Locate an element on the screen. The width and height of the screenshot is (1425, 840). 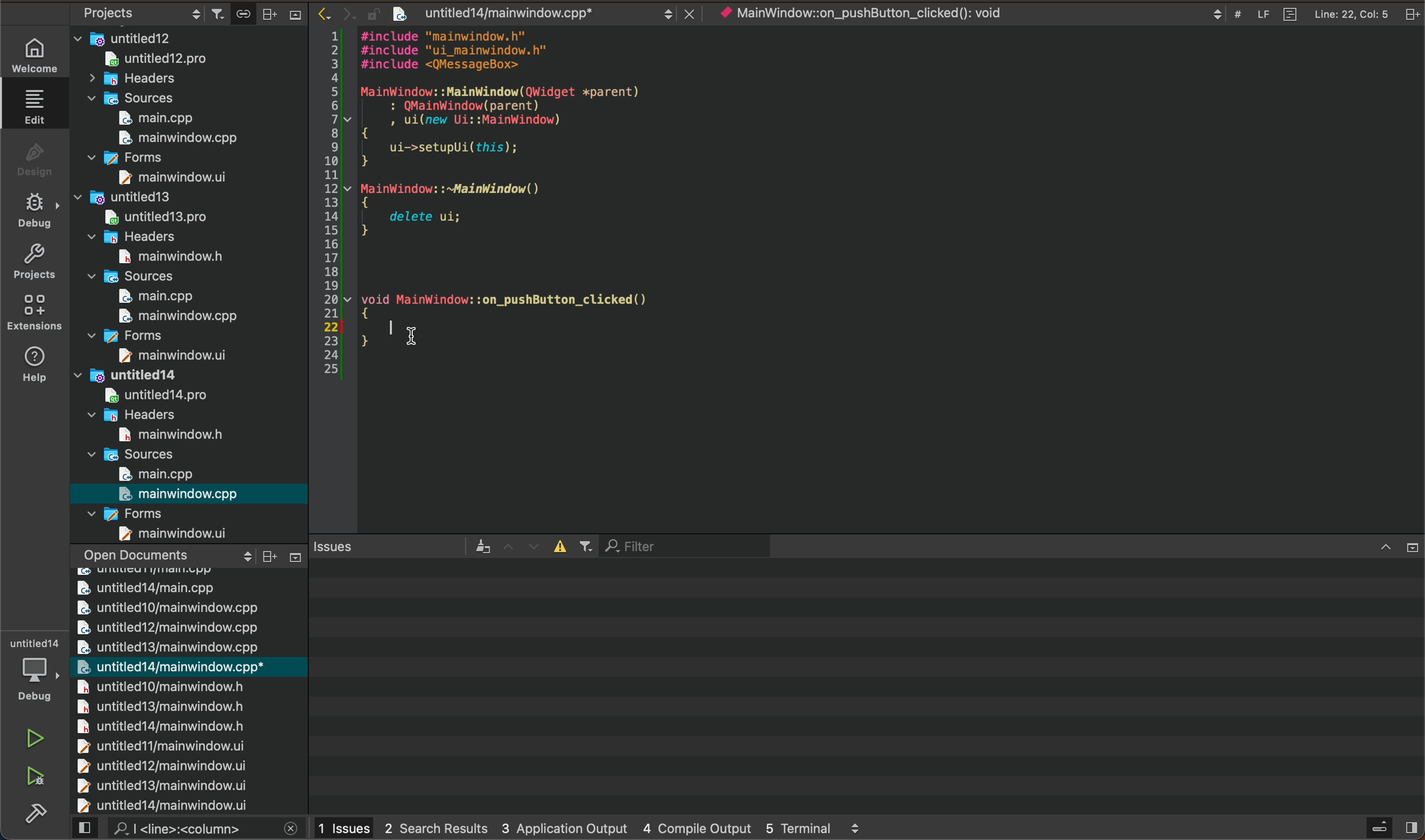
issues is located at coordinates (403, 546).